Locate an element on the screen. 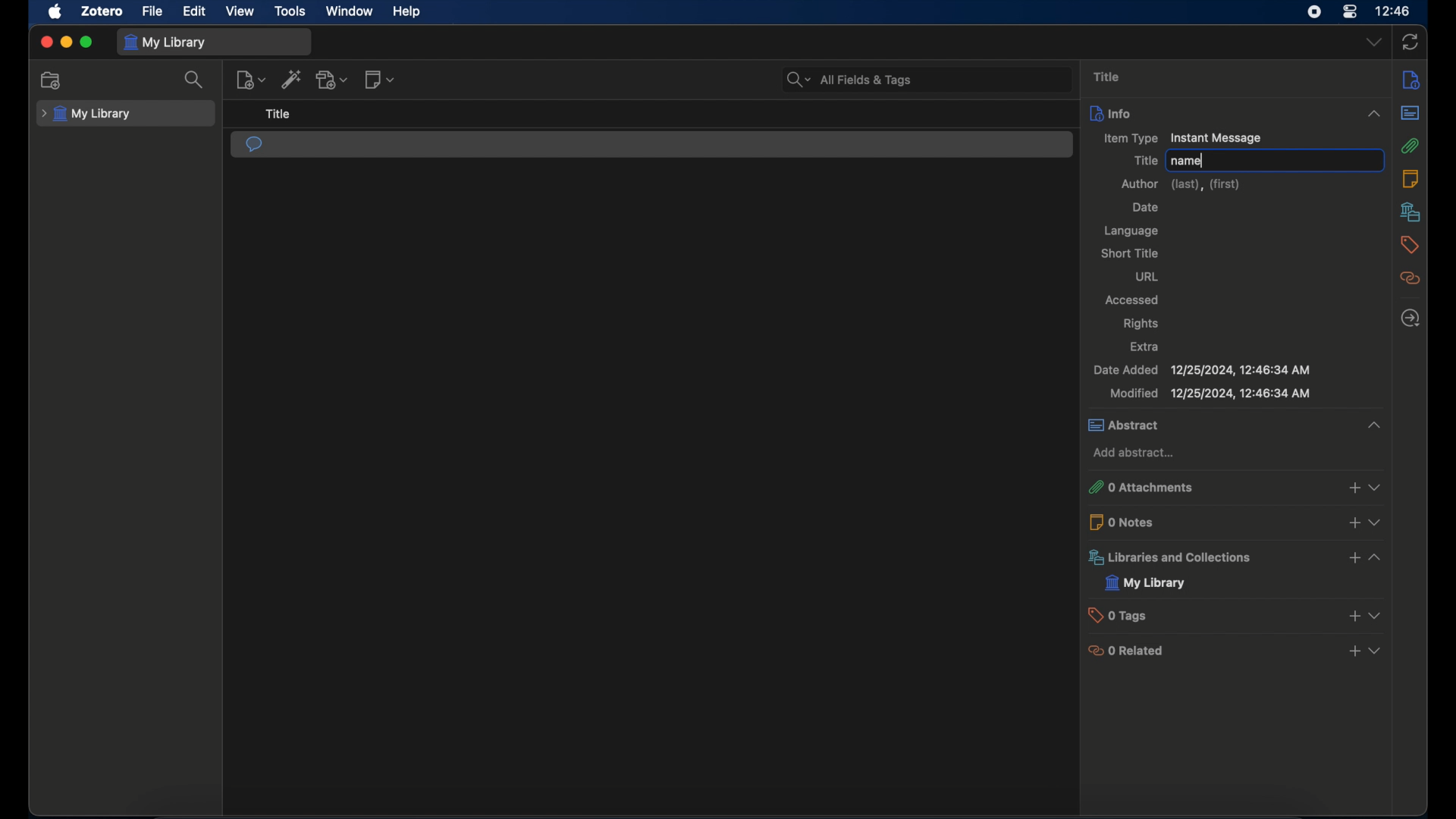 The image size is (1456, 819). date is located at coordinates (1145, 207).